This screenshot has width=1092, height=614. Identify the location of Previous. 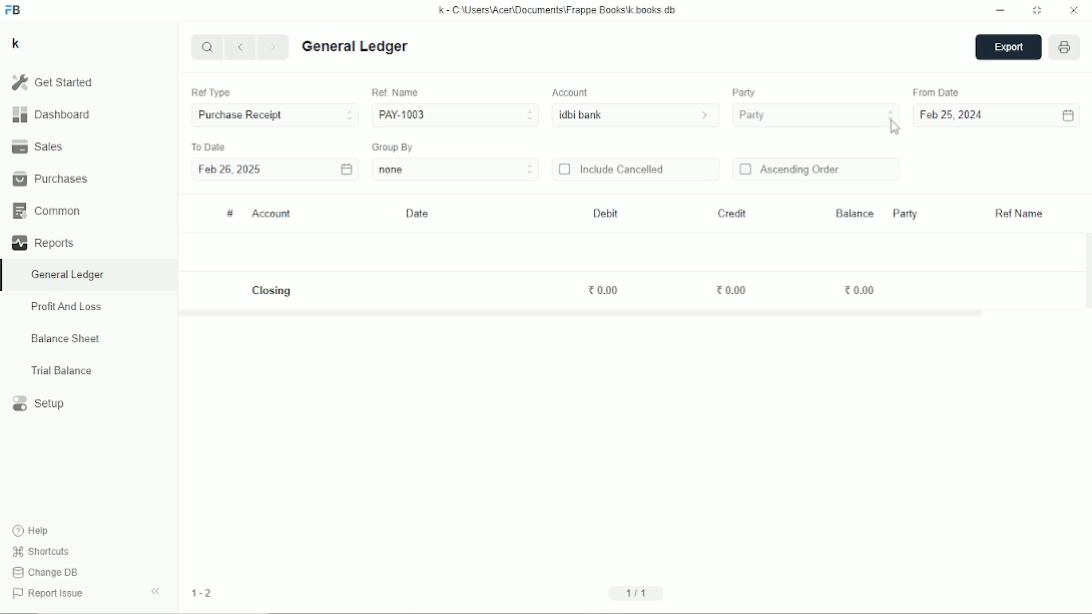
(242, 48).